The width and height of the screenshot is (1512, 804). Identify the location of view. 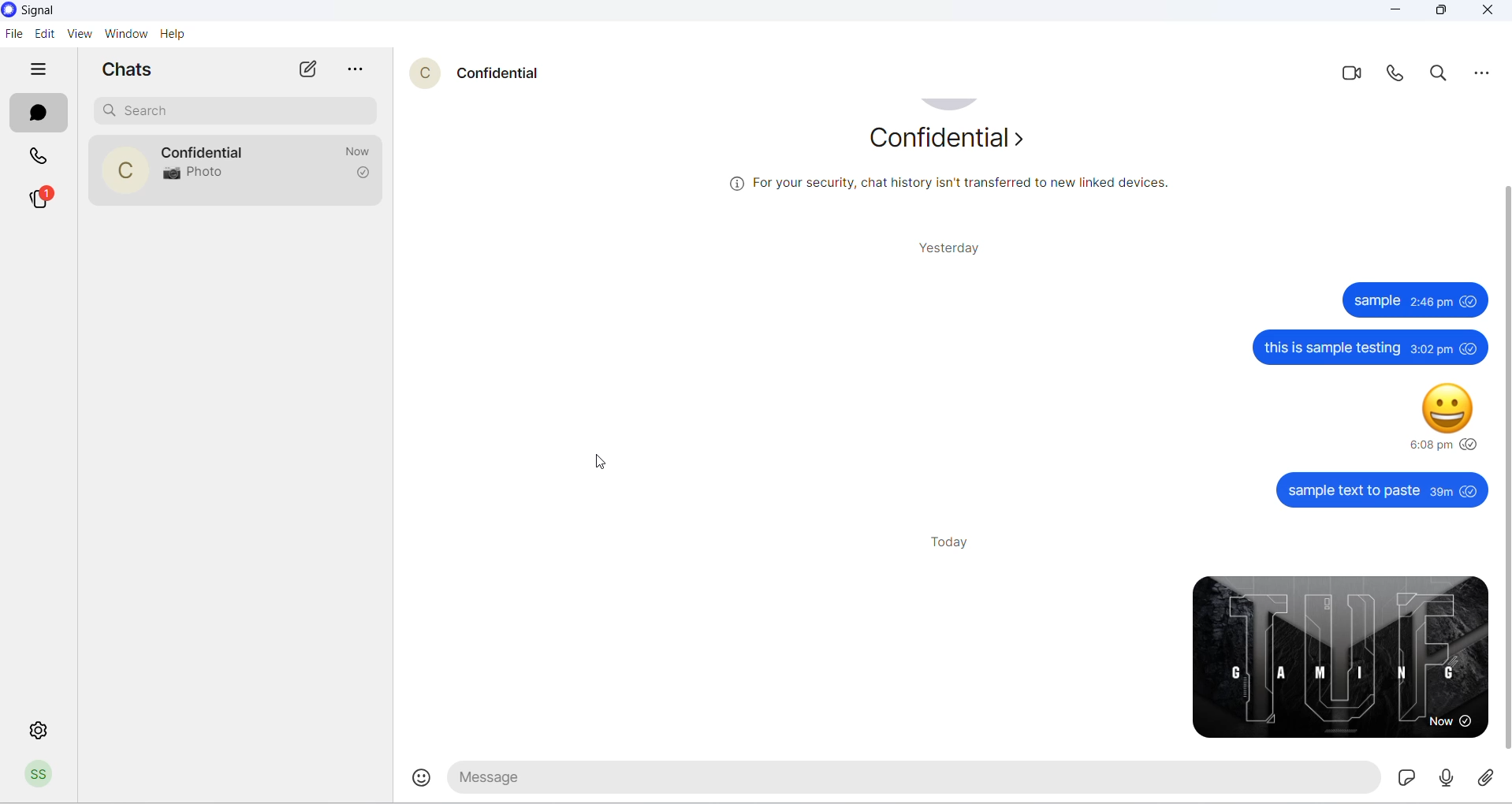
(77, 35).